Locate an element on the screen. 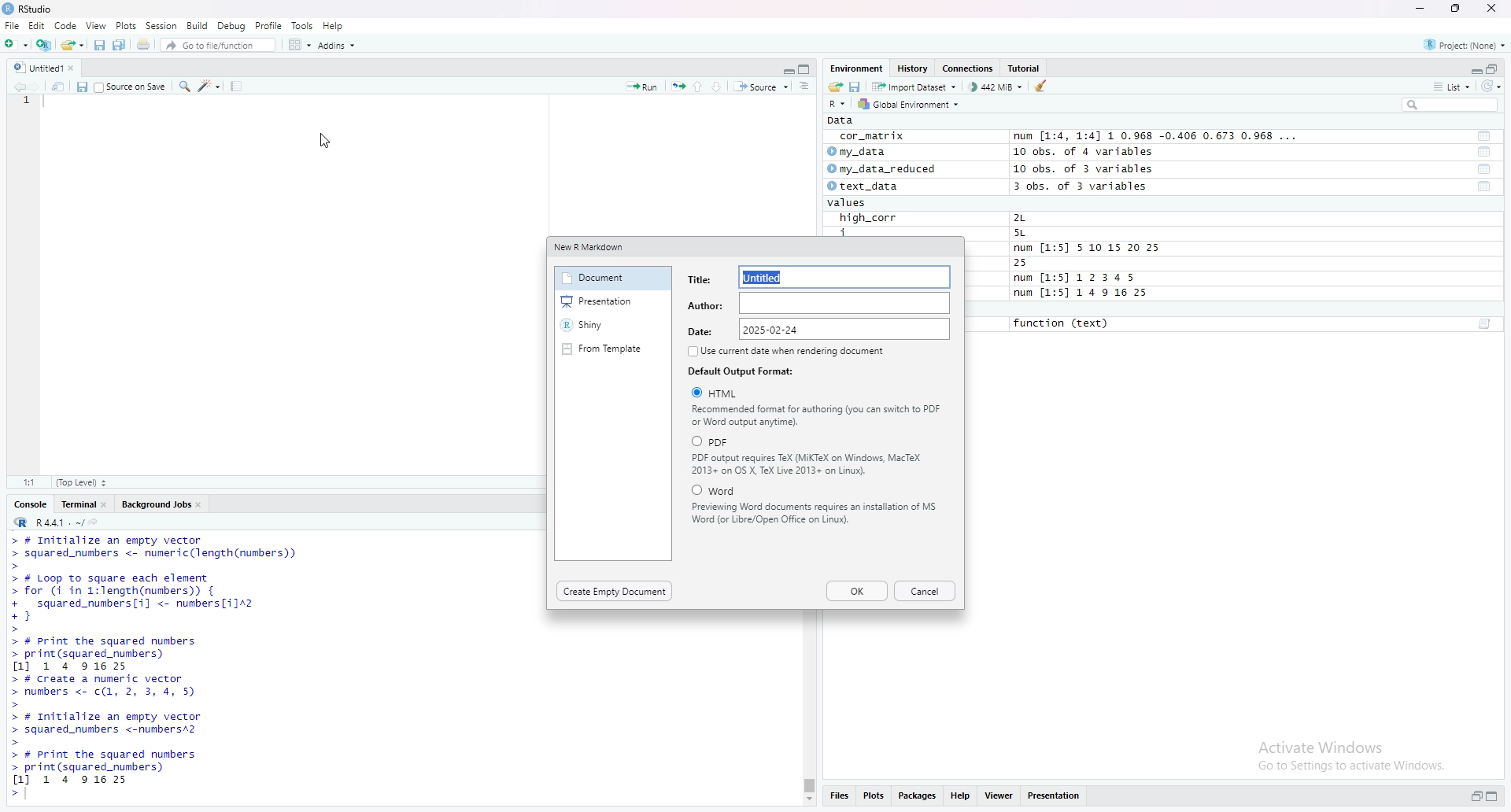 The width and height of the screenshot is (1511, 812). function (text) is located at coordinates (1064, 325).